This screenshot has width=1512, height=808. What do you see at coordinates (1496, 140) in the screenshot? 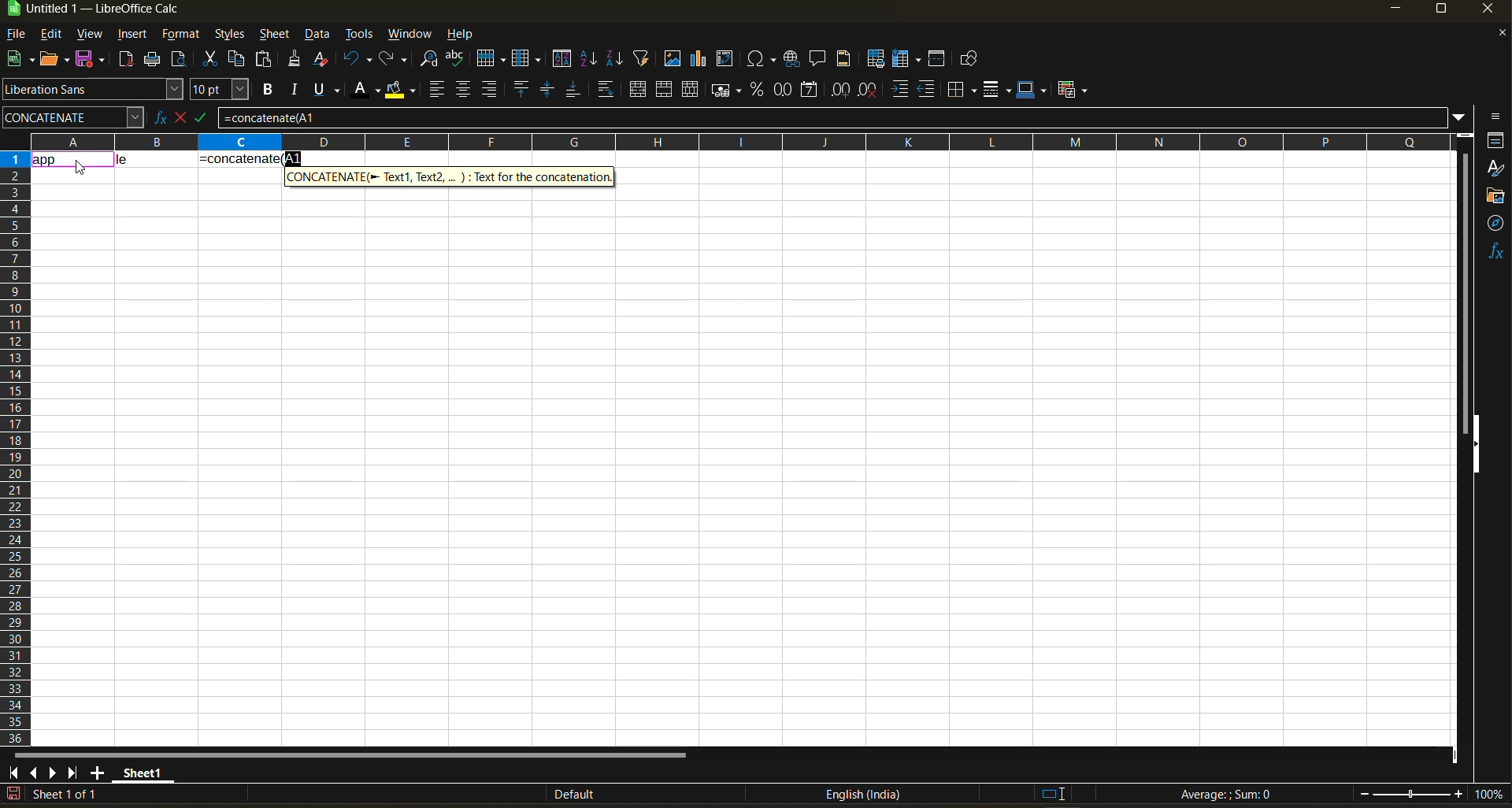
I see `properties` at bounding box center [1496, 140].